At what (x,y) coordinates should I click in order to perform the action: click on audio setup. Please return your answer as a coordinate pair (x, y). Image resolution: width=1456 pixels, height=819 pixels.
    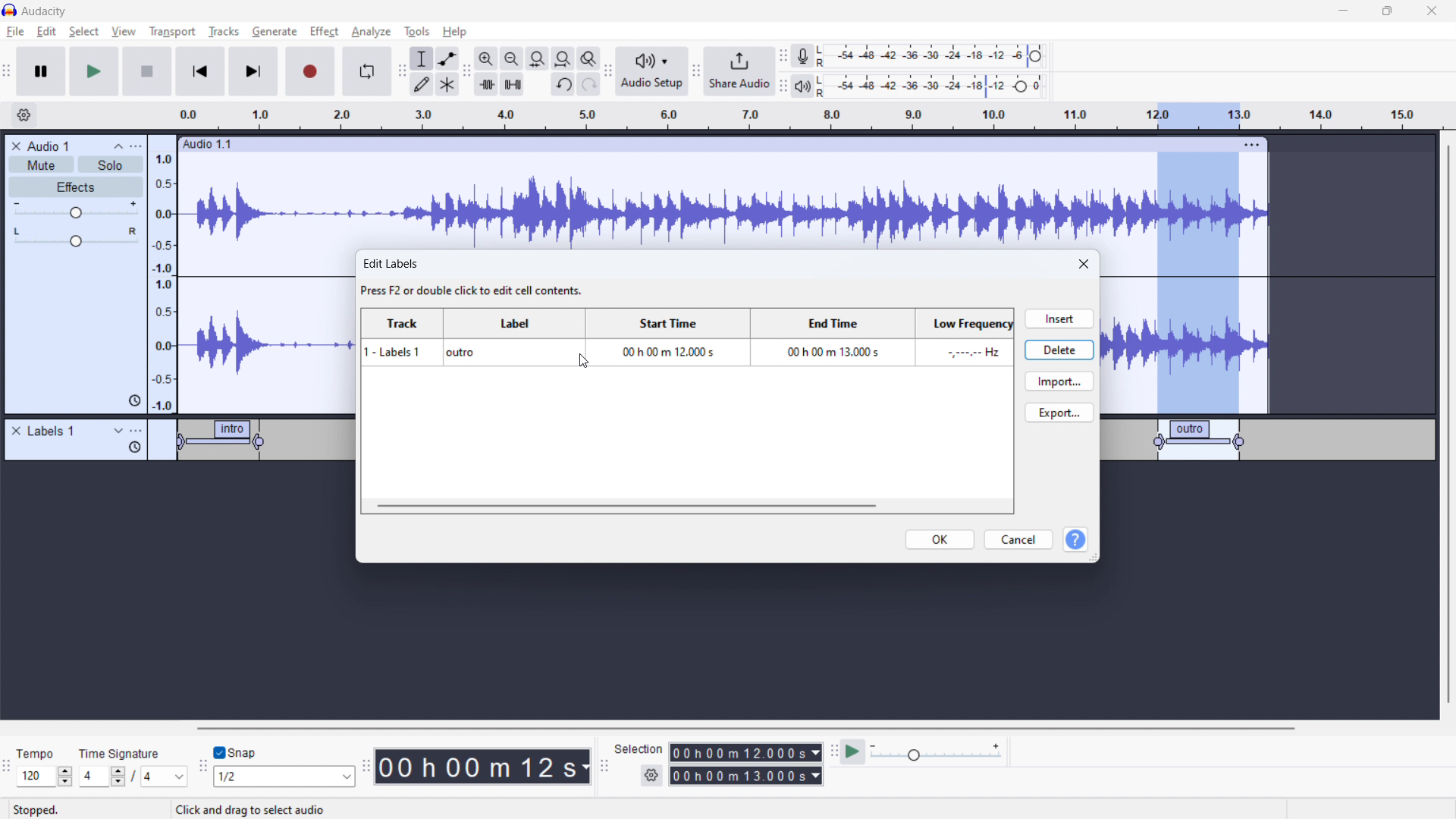
    Looking at the image, I should click on (652, 72).